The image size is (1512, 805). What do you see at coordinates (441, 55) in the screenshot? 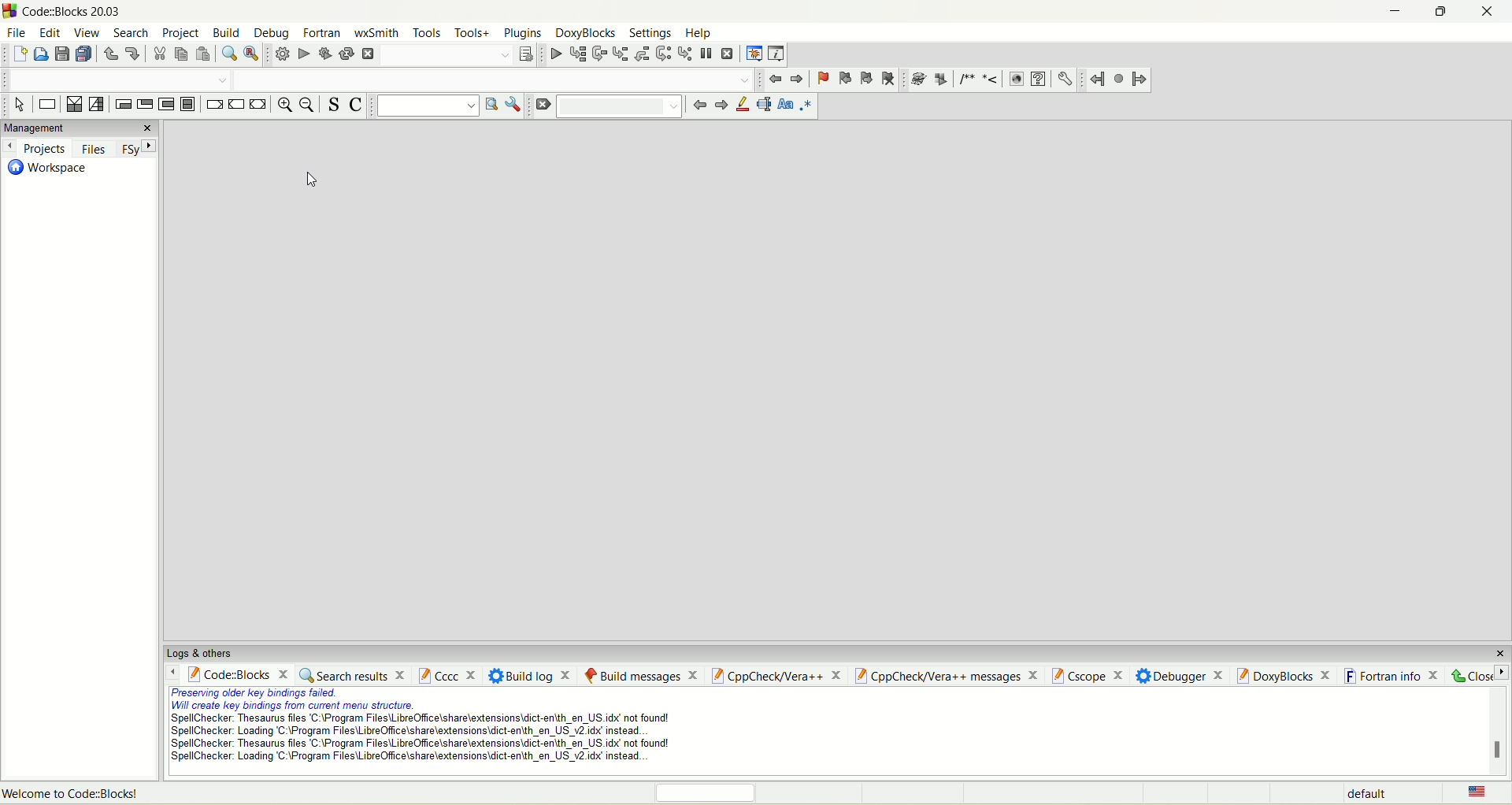
I see `Search` at bounding box center [441, 55].